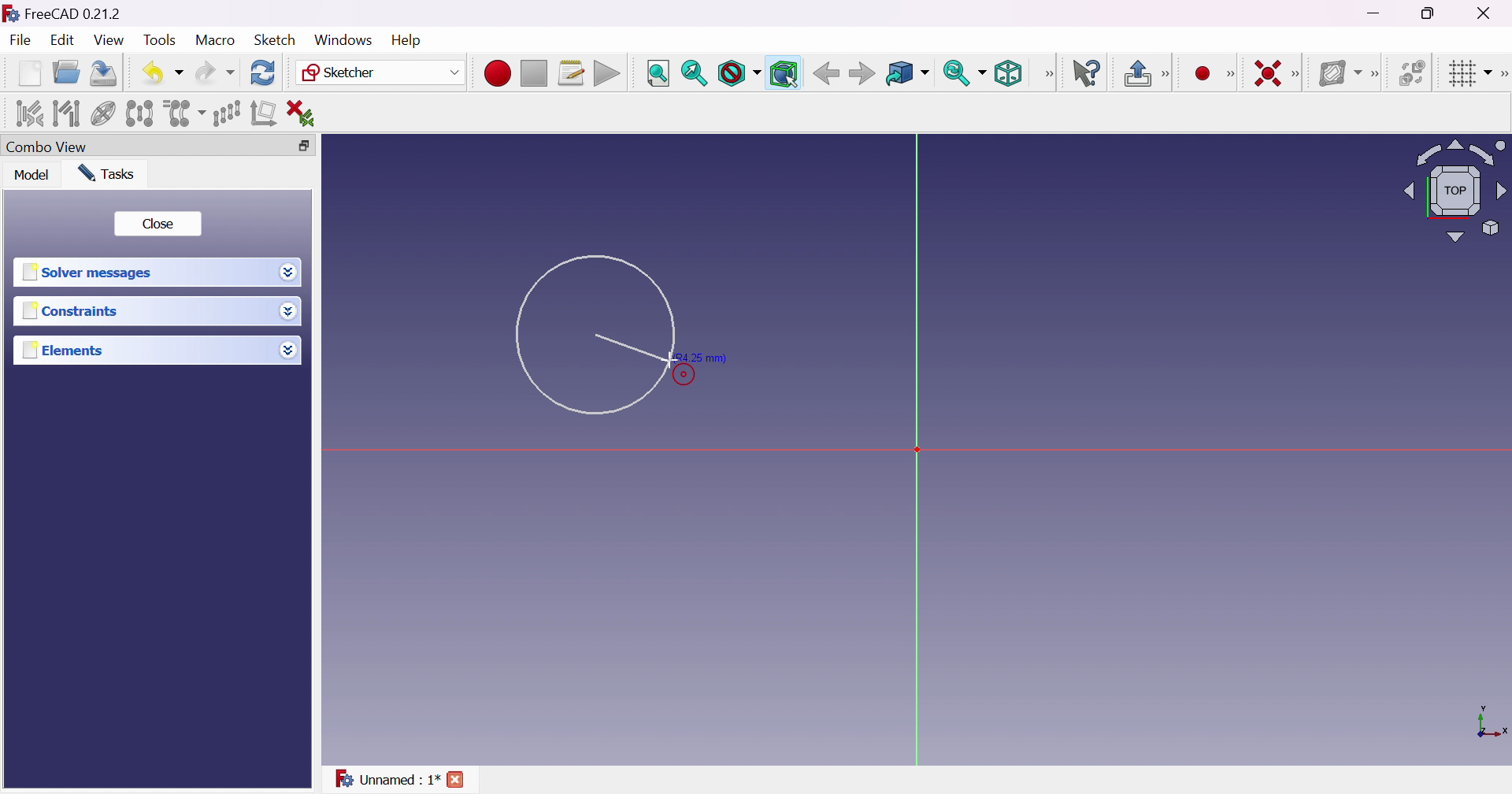 This screenshot has height=794, width=1512. I want to click on Fit all, so click(657, 72).